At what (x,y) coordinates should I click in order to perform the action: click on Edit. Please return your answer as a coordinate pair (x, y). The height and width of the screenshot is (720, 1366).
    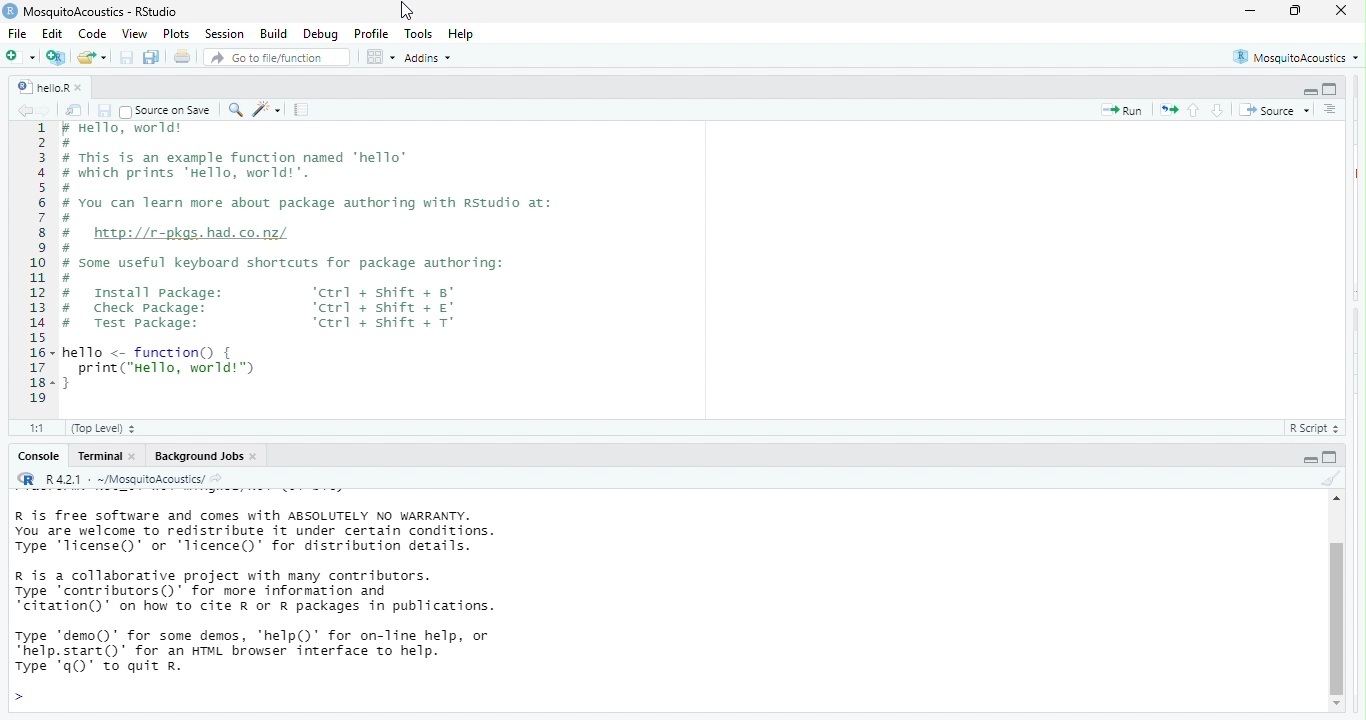
    Looking at the image, I should click on (54, 35).